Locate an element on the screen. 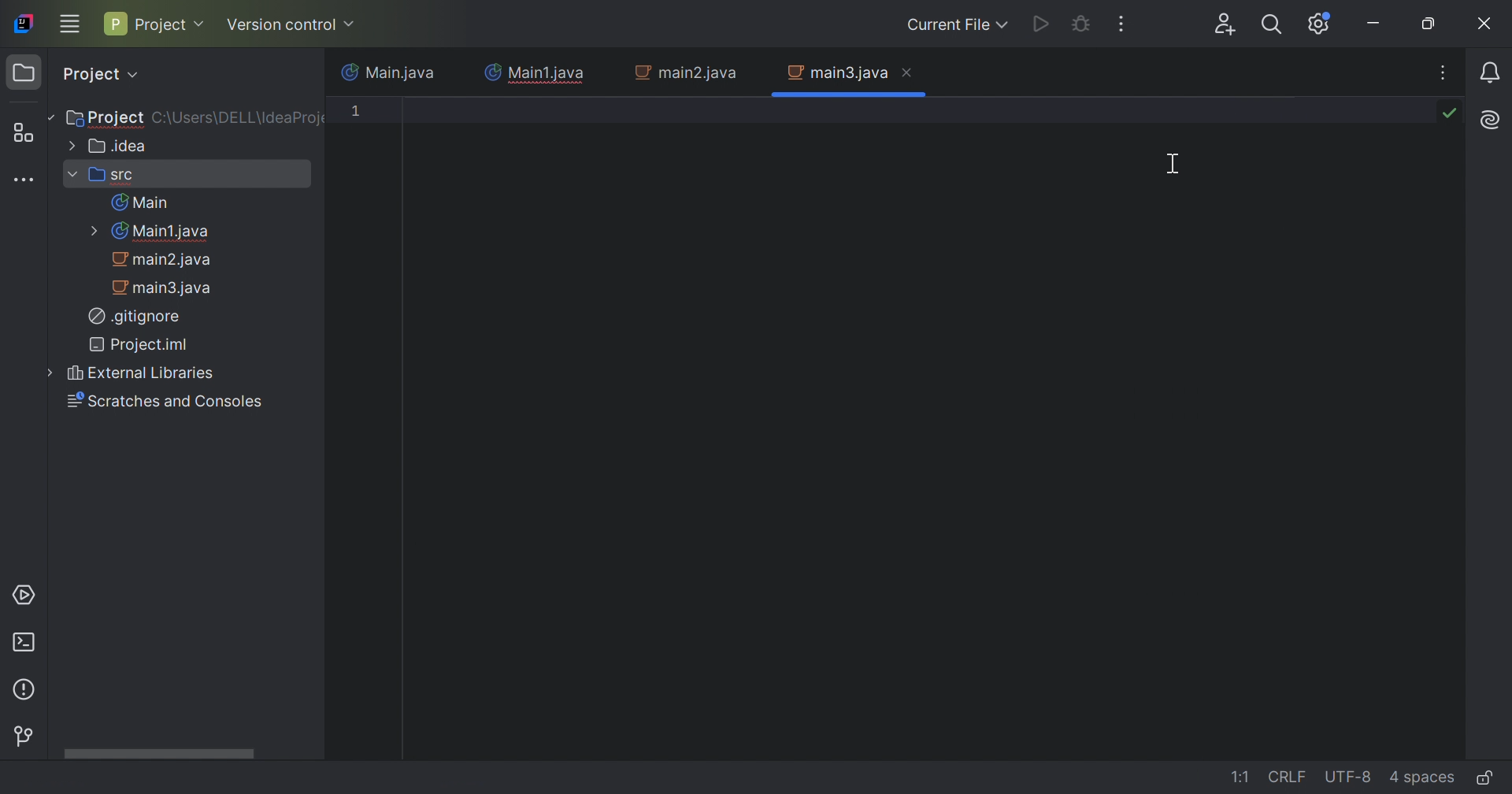  Main1.java is located at coordinates (149, 232).